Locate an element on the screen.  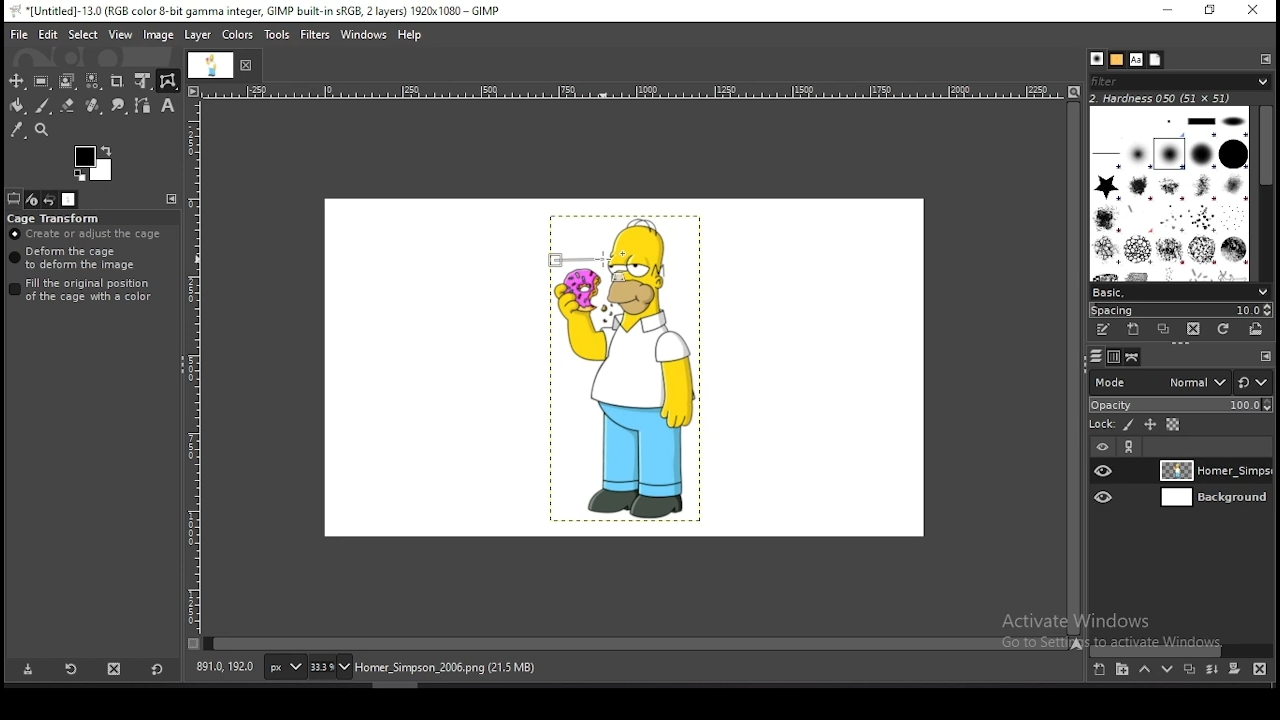
minimize is located at coordinates (1168, 11).